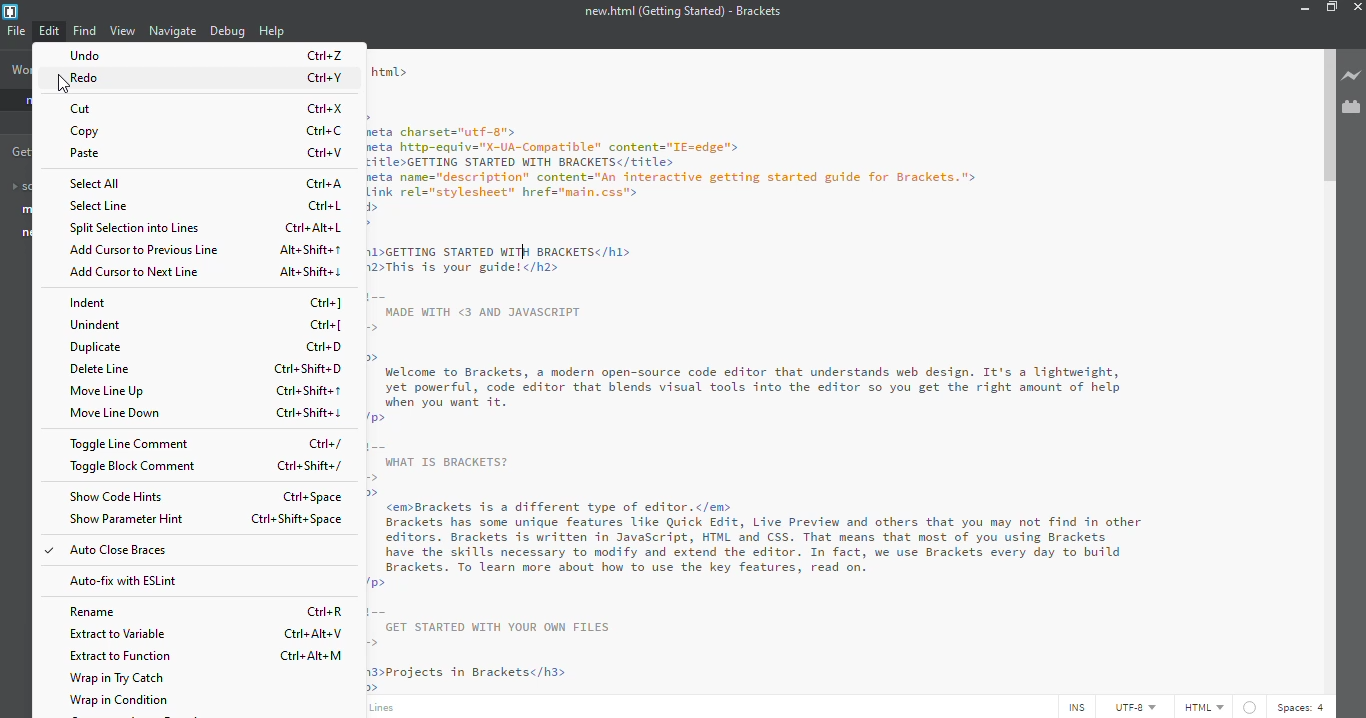 The height and width of the screenshot is (718, 1366). I want to click on navigate, so click(174, 31).